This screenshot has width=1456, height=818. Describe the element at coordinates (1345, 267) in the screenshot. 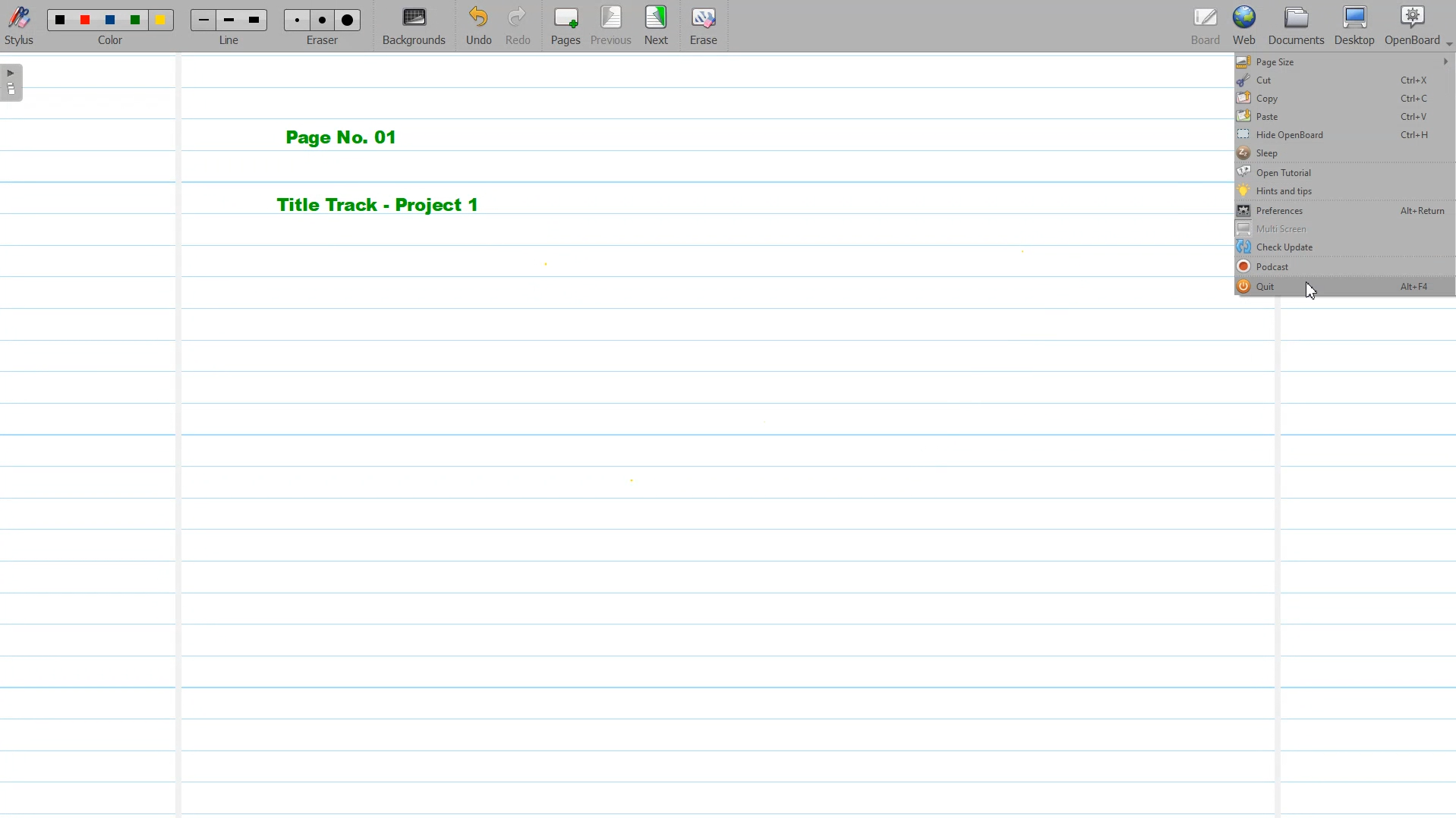

I see `Podcast` at that location.